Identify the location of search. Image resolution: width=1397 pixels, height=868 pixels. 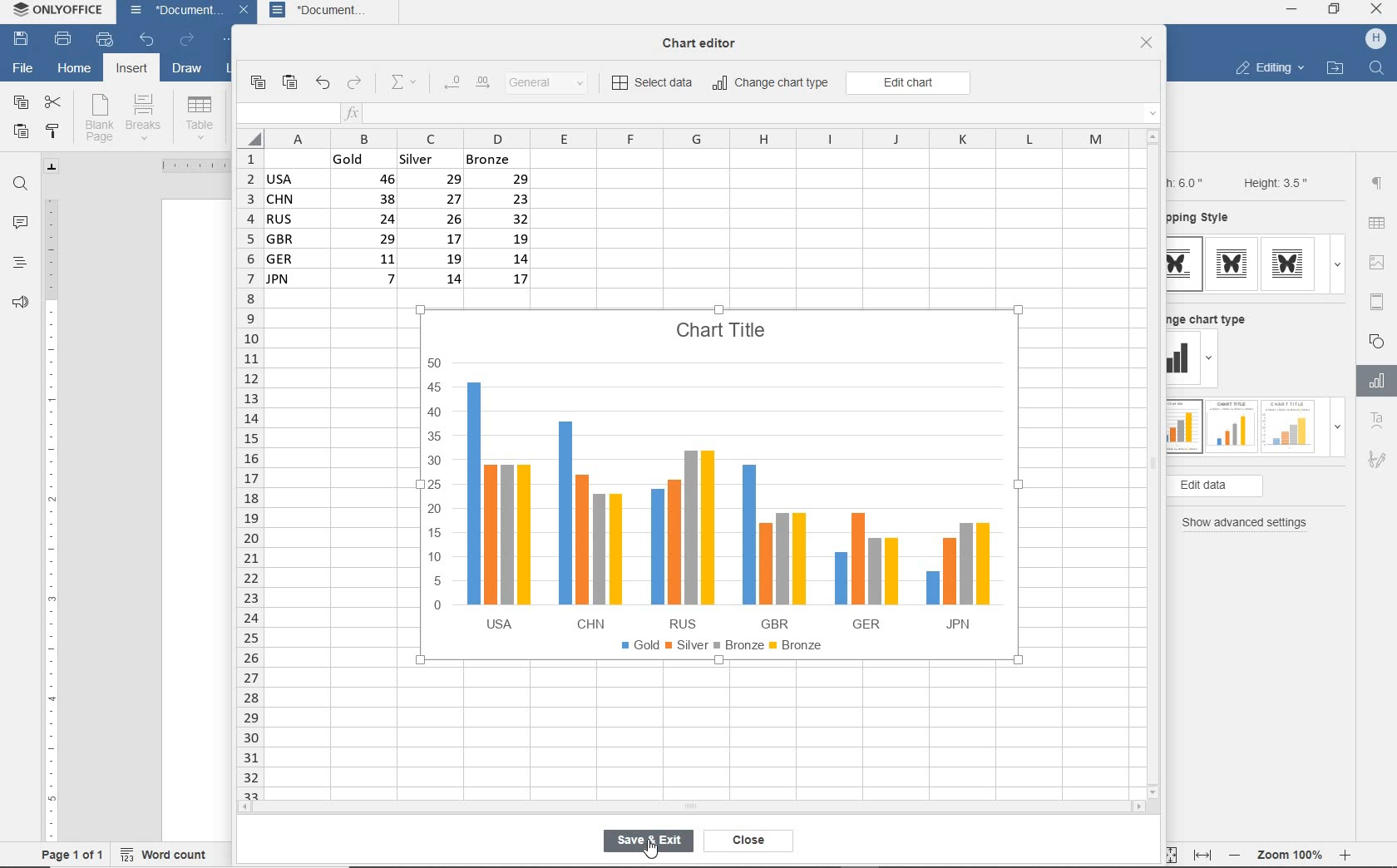
(1379, 67).